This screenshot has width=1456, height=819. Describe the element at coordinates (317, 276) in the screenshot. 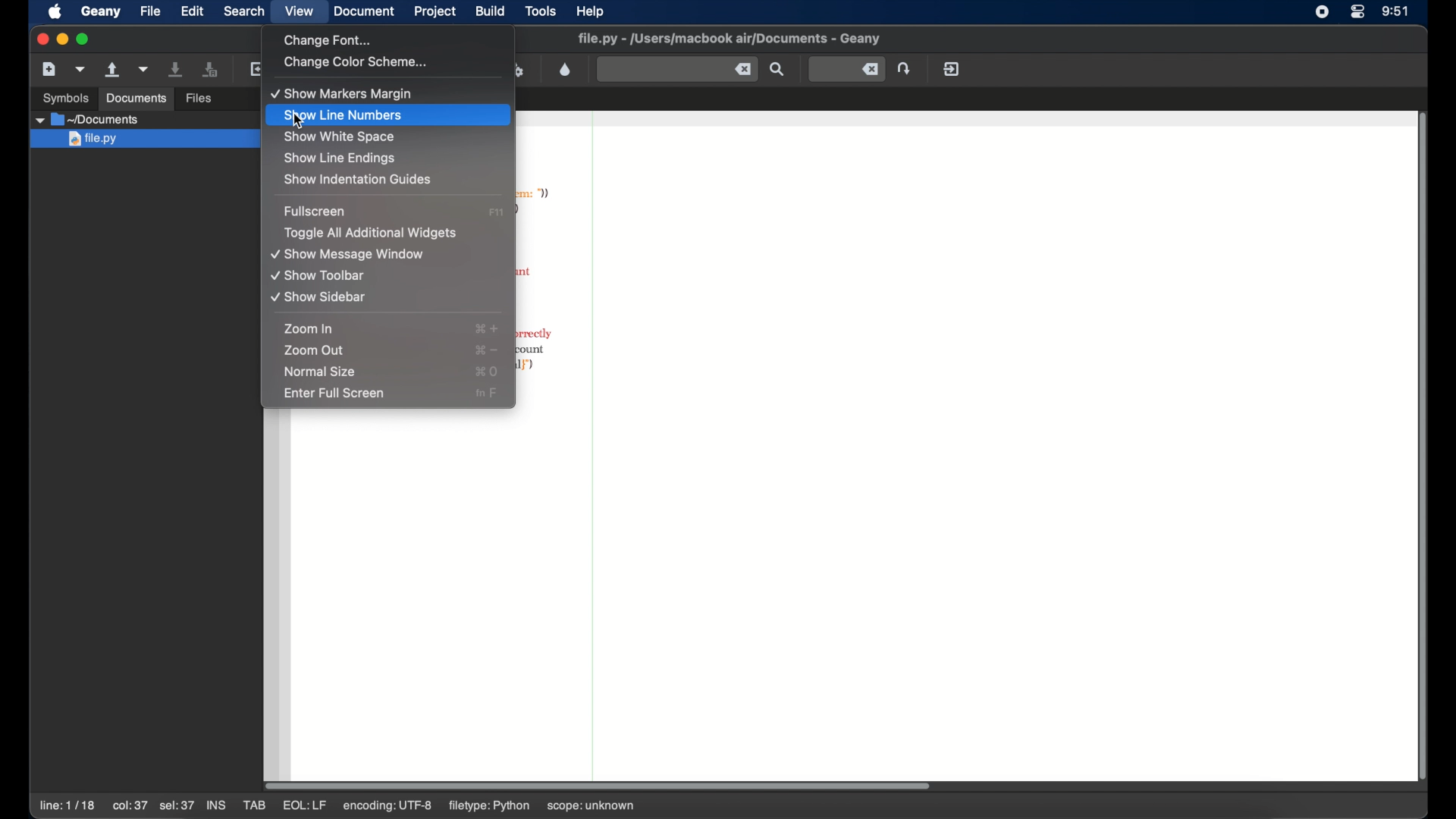

I see `show toolbar` at that location.